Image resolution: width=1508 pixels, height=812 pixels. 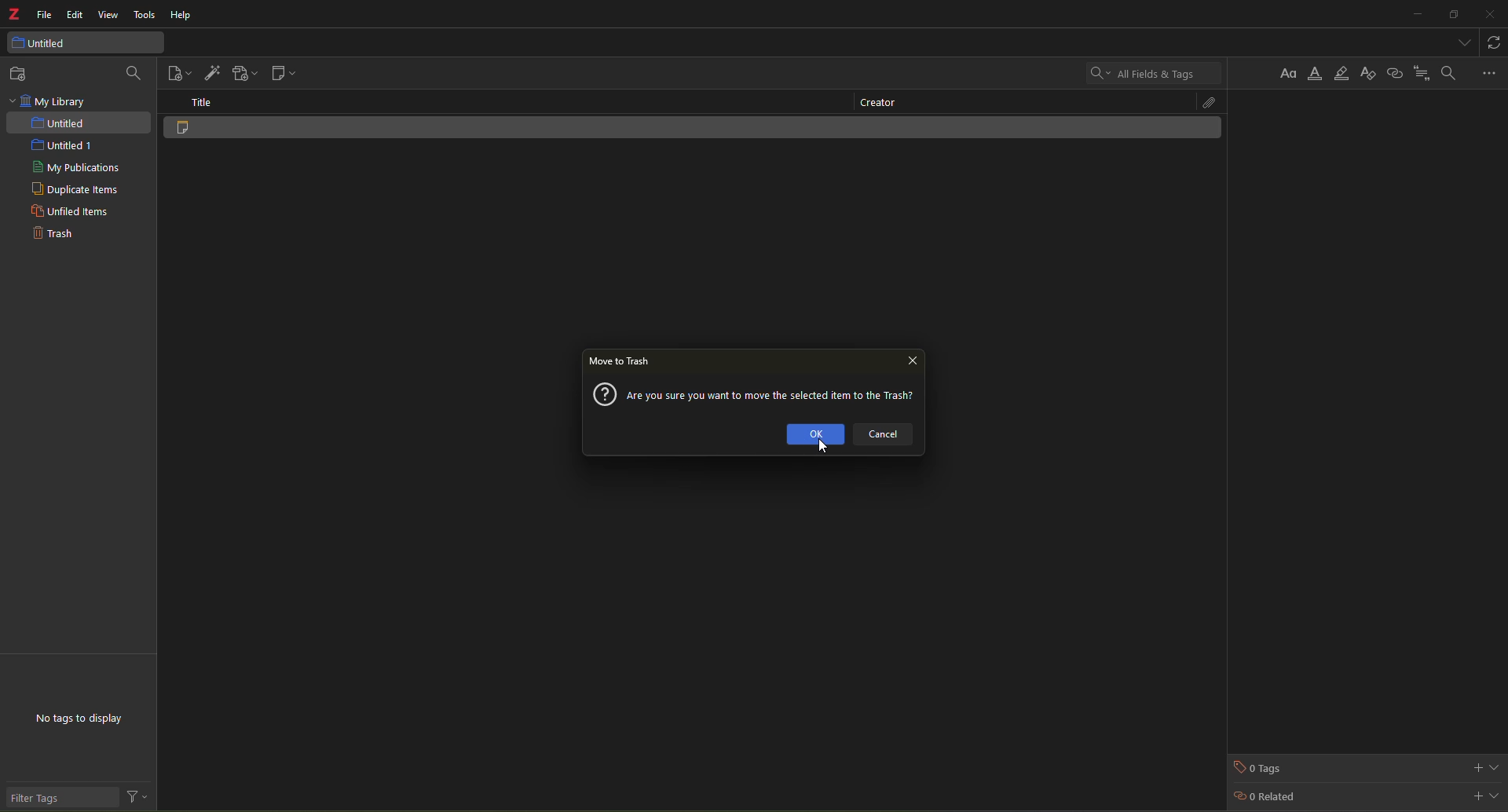 I want to click on my publications, so click(x=80, y=169).